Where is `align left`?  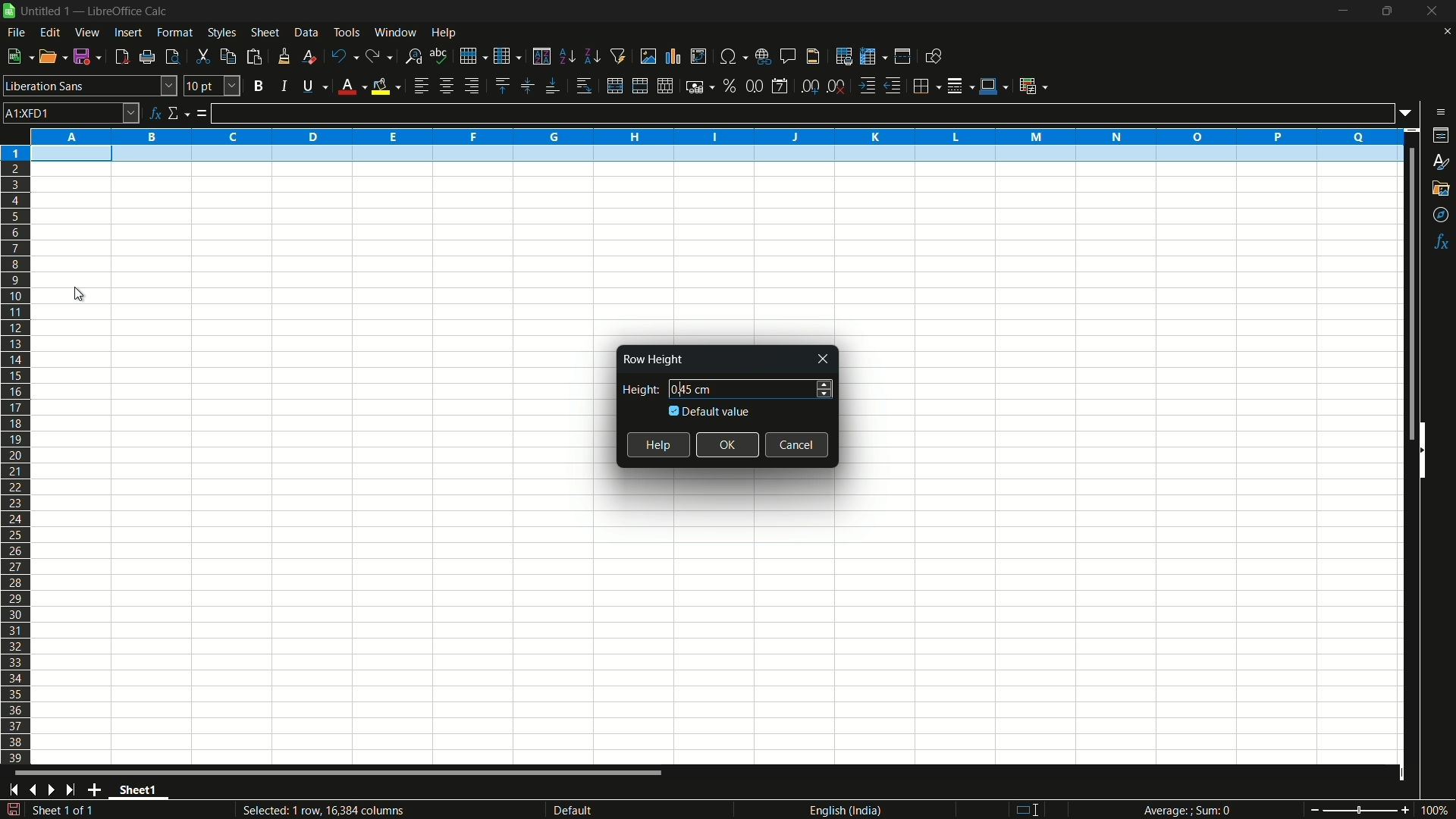
align left is located at coordinates (420, 86).